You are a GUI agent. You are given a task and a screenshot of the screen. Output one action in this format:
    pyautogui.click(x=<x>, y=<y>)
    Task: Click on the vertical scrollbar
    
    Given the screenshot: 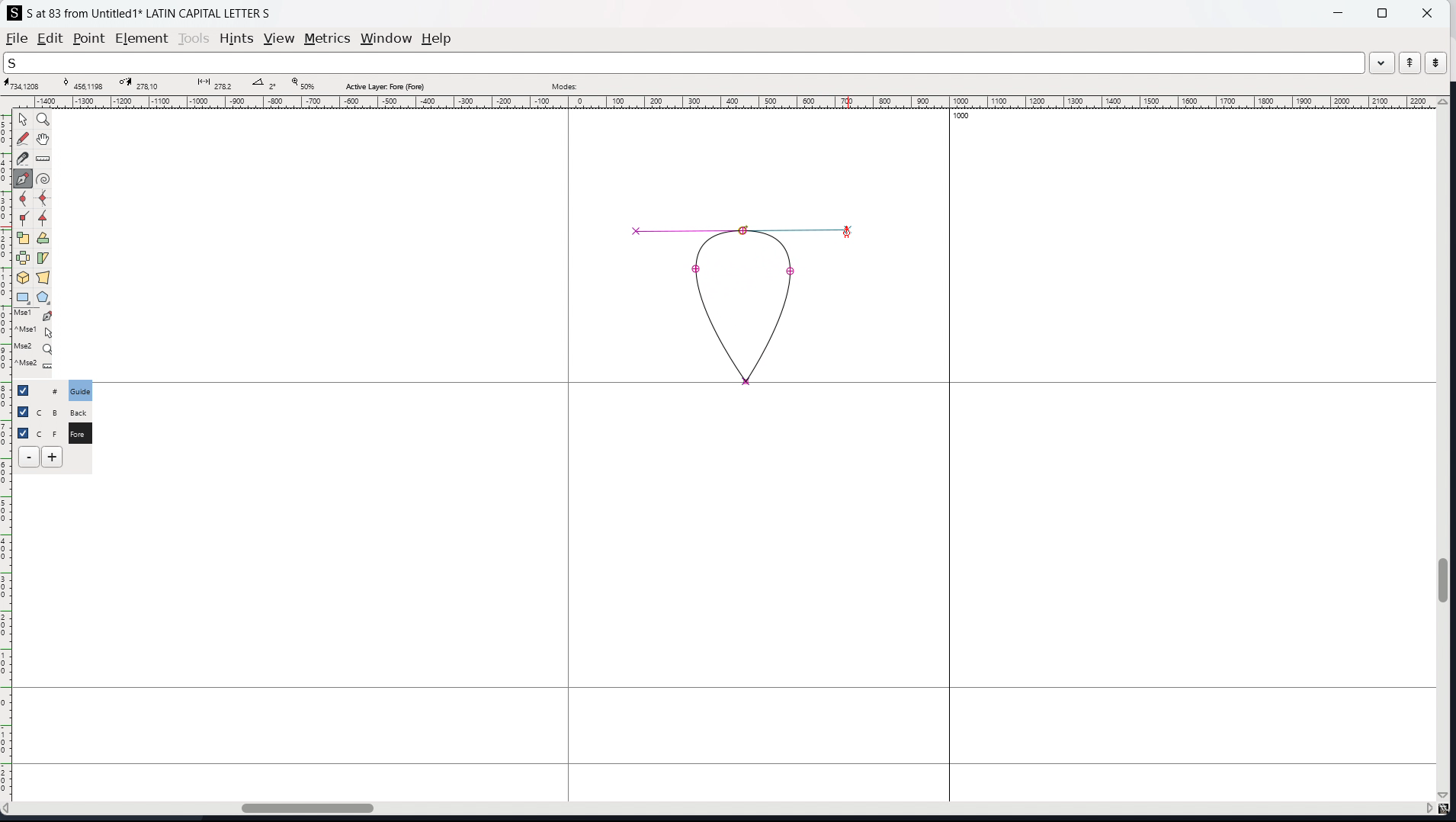 What is the action you would take?
    pyautogui.click(x=1446, y=450)
    